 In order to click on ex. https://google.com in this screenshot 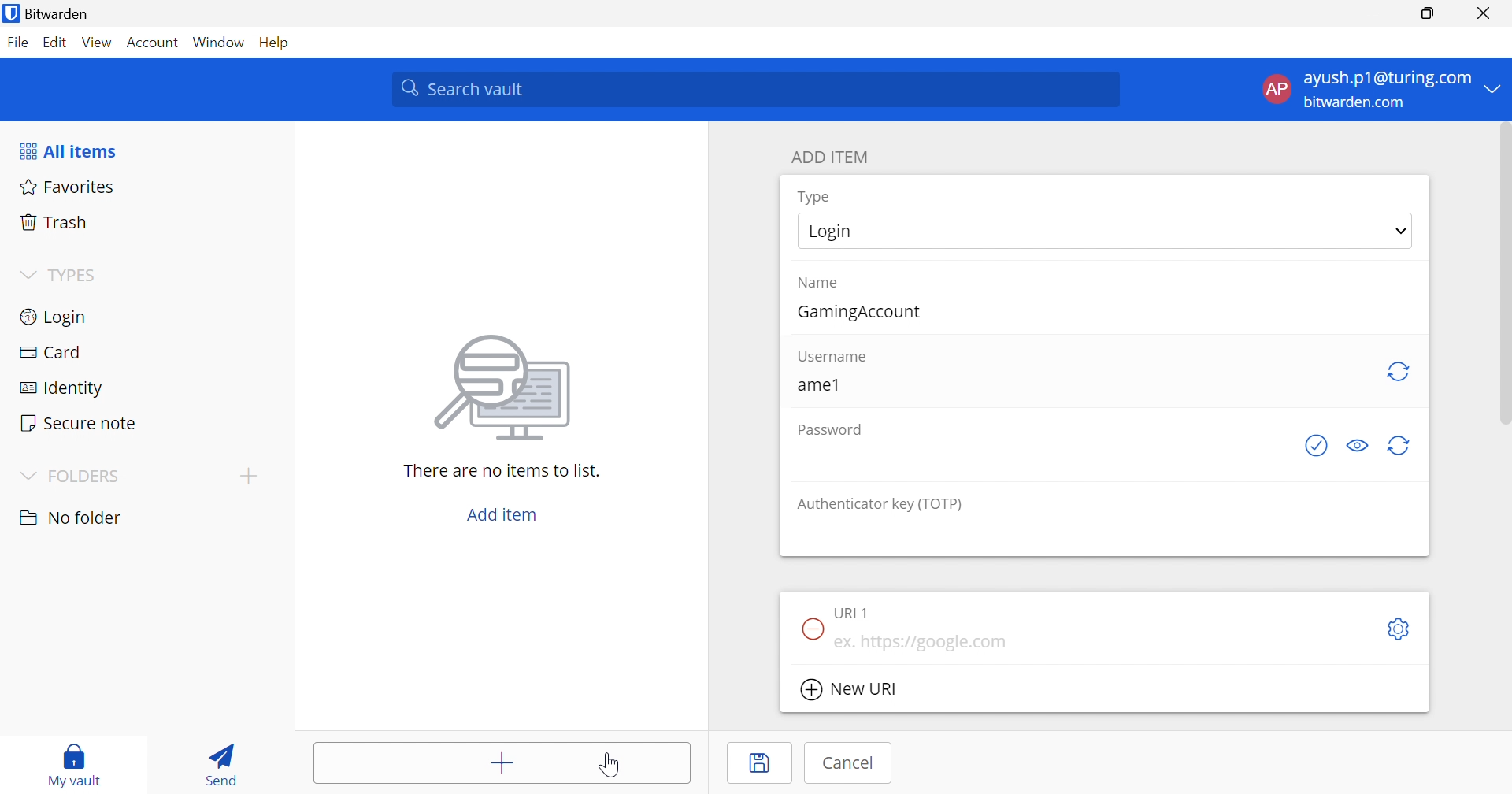, I will do `click(923, 643)`.